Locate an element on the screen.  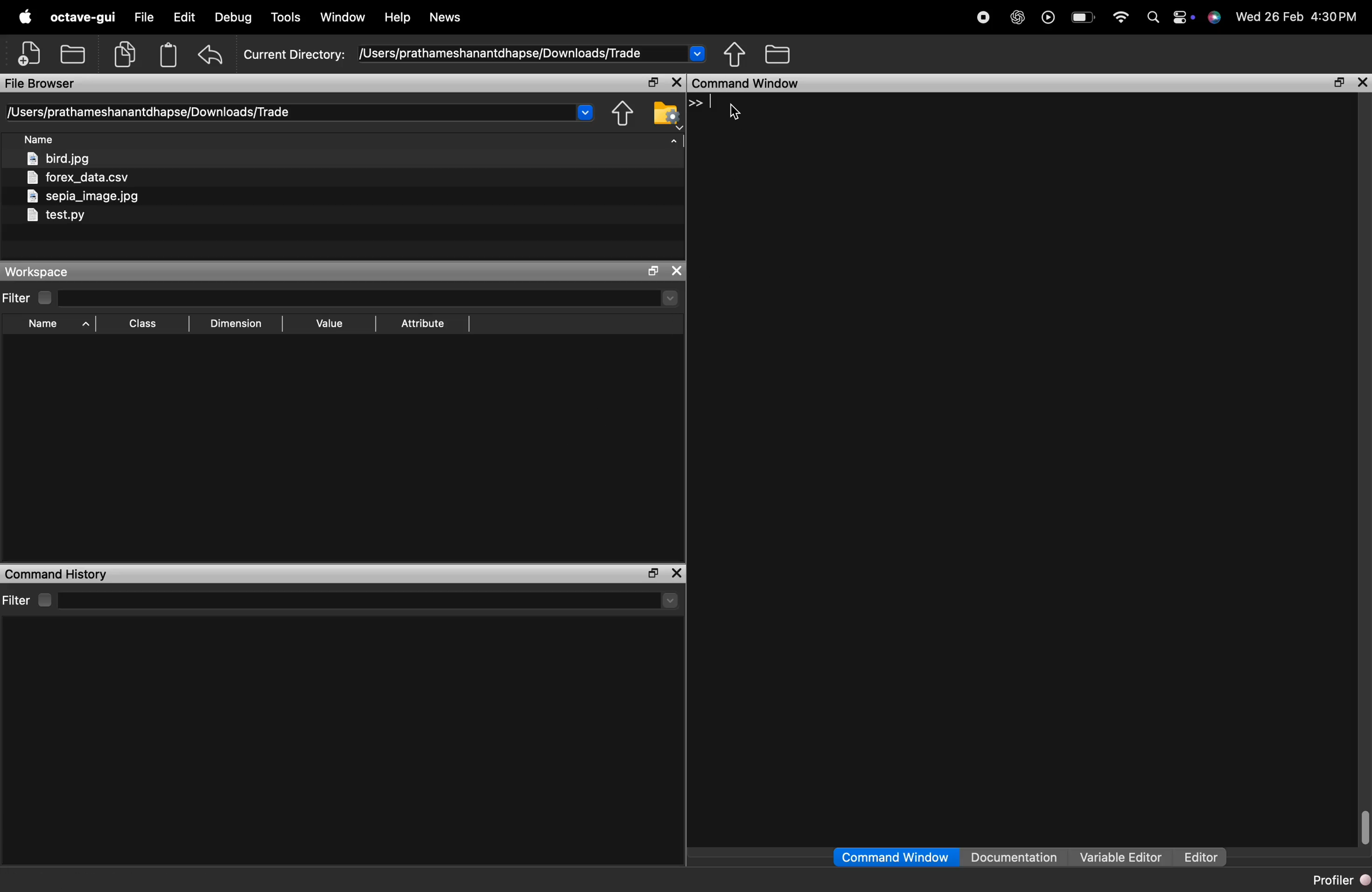
close is located at coordinates (1361, 82).